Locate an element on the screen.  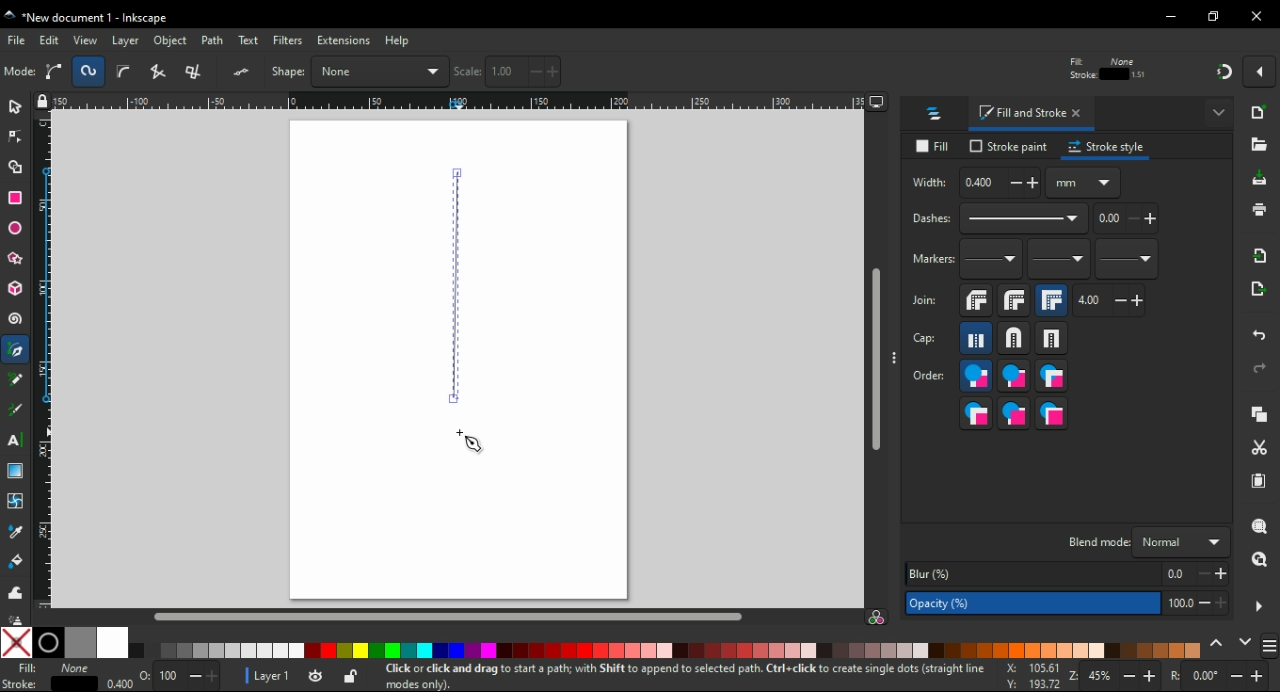
color tone pallete is located at coordinates (875, 650).